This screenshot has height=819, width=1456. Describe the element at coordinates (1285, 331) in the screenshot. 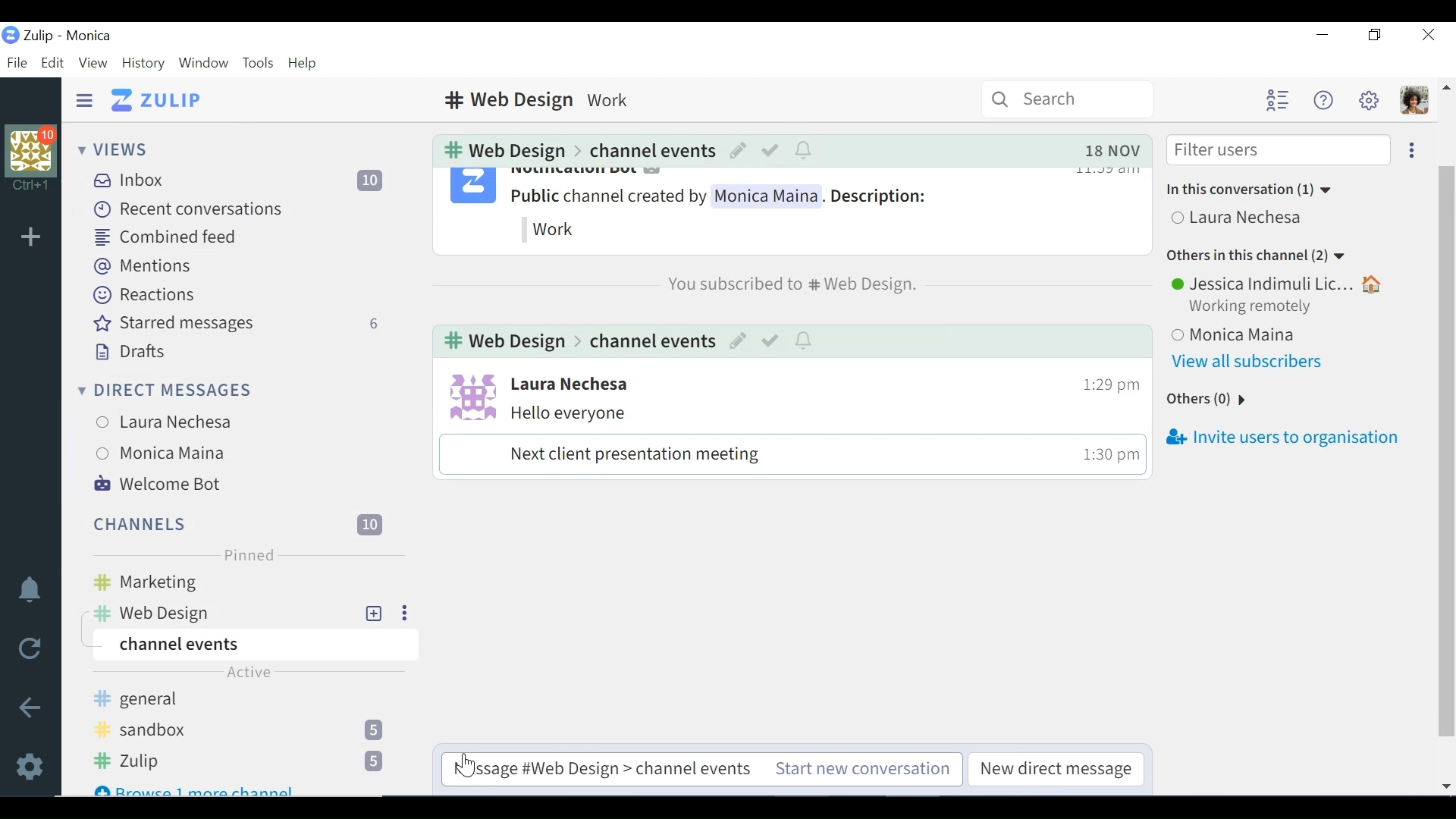

I see `User` at that location.